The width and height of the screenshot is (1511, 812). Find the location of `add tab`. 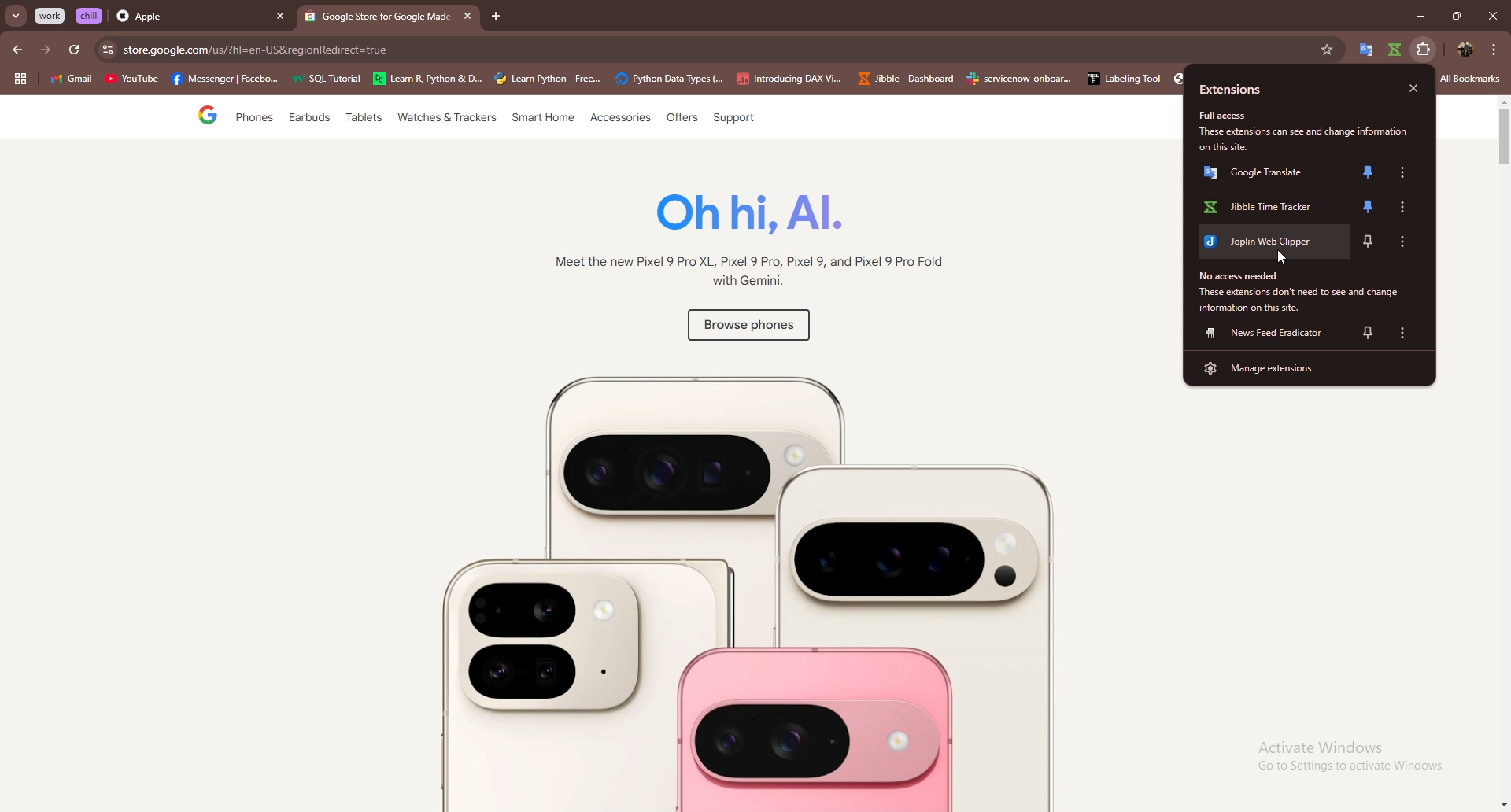

add tab is located at coordinates (497, 17).